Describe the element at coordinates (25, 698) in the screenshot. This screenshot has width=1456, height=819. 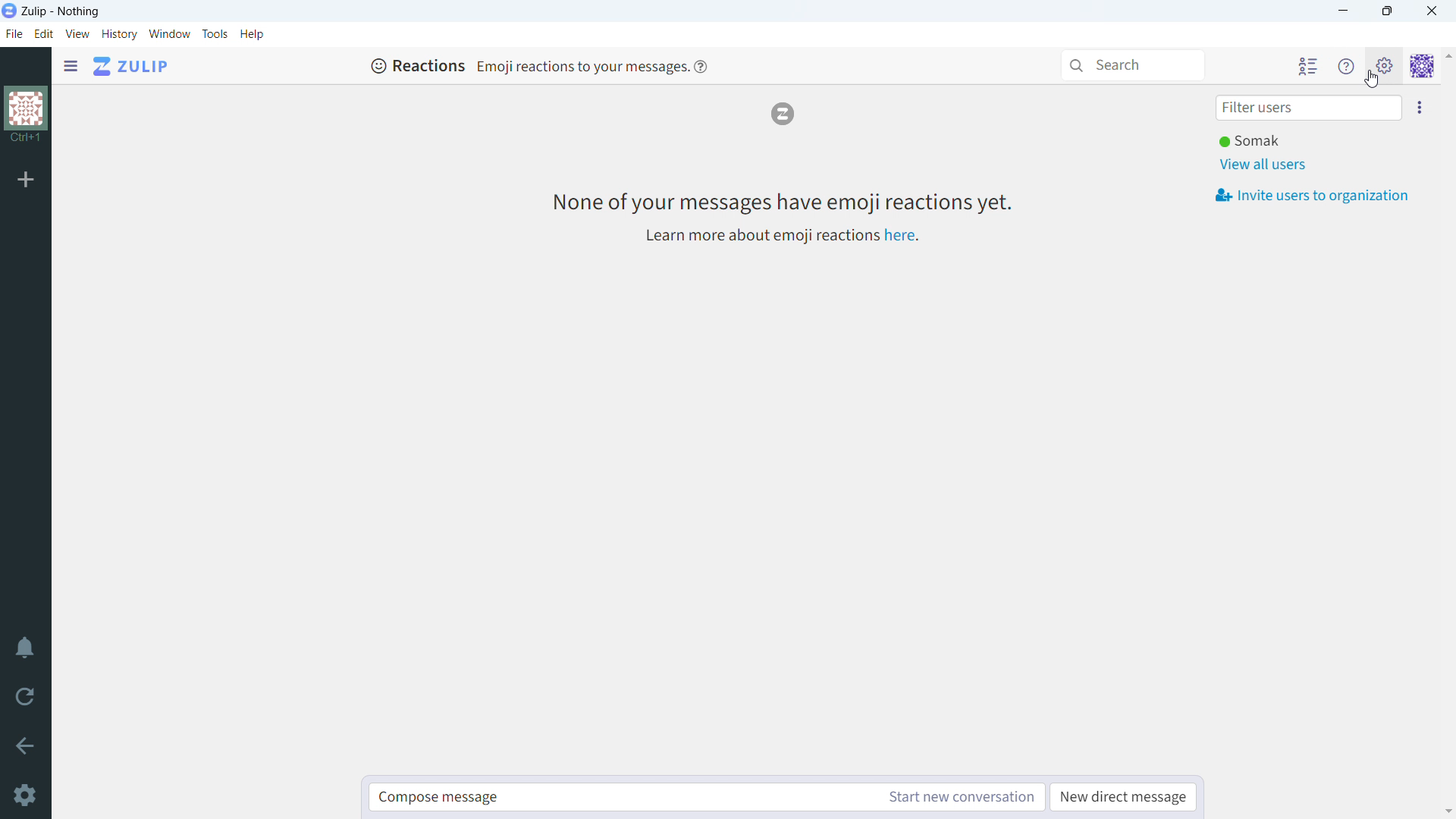
I see `reload` at that location.